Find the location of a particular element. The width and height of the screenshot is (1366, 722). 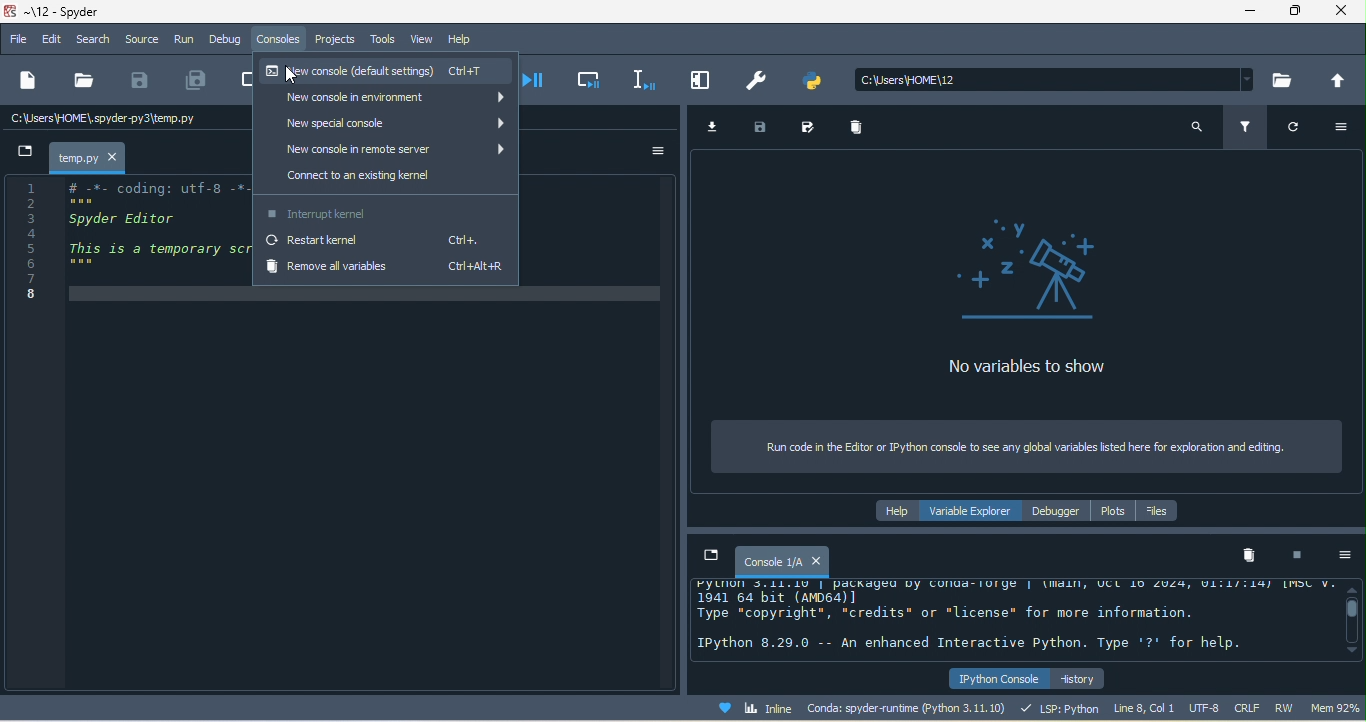

file is located at coordinates (18, 41).